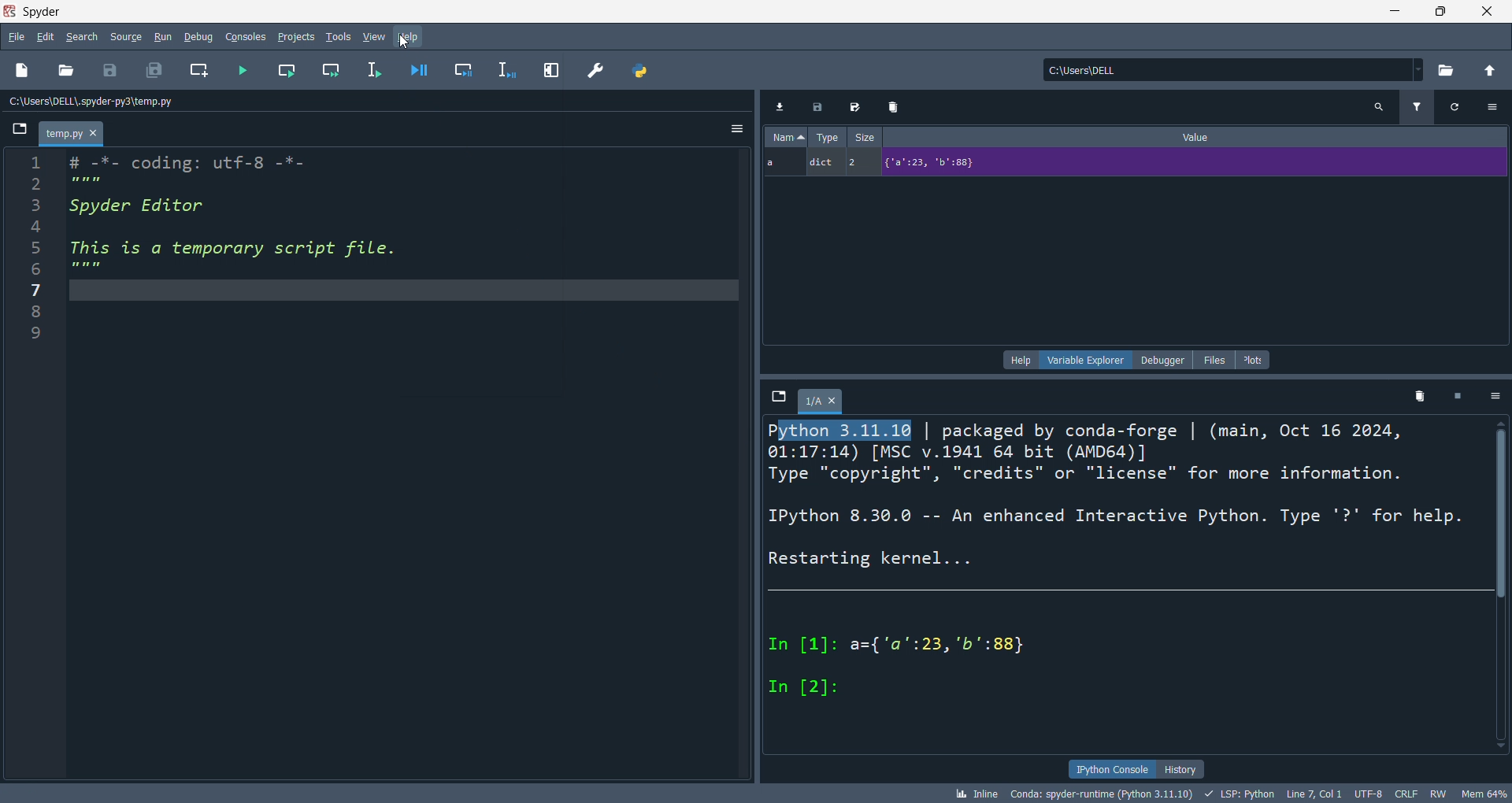  I want to click on Python 3.11.10 | packaged by conda-forge | (main, Oct 16 2024,
01:17:14) [MSC v.1941 64 bit (AMD64)]

Type "copyright", "credits" or "license" for more information.
IPython 8.30.0 -- An enhanced Interactive Python. Type '?' for help.
Restarting kernel...

In [1]: a={'a":23, 'b':88}

In [2]:, so click(1119, 562).